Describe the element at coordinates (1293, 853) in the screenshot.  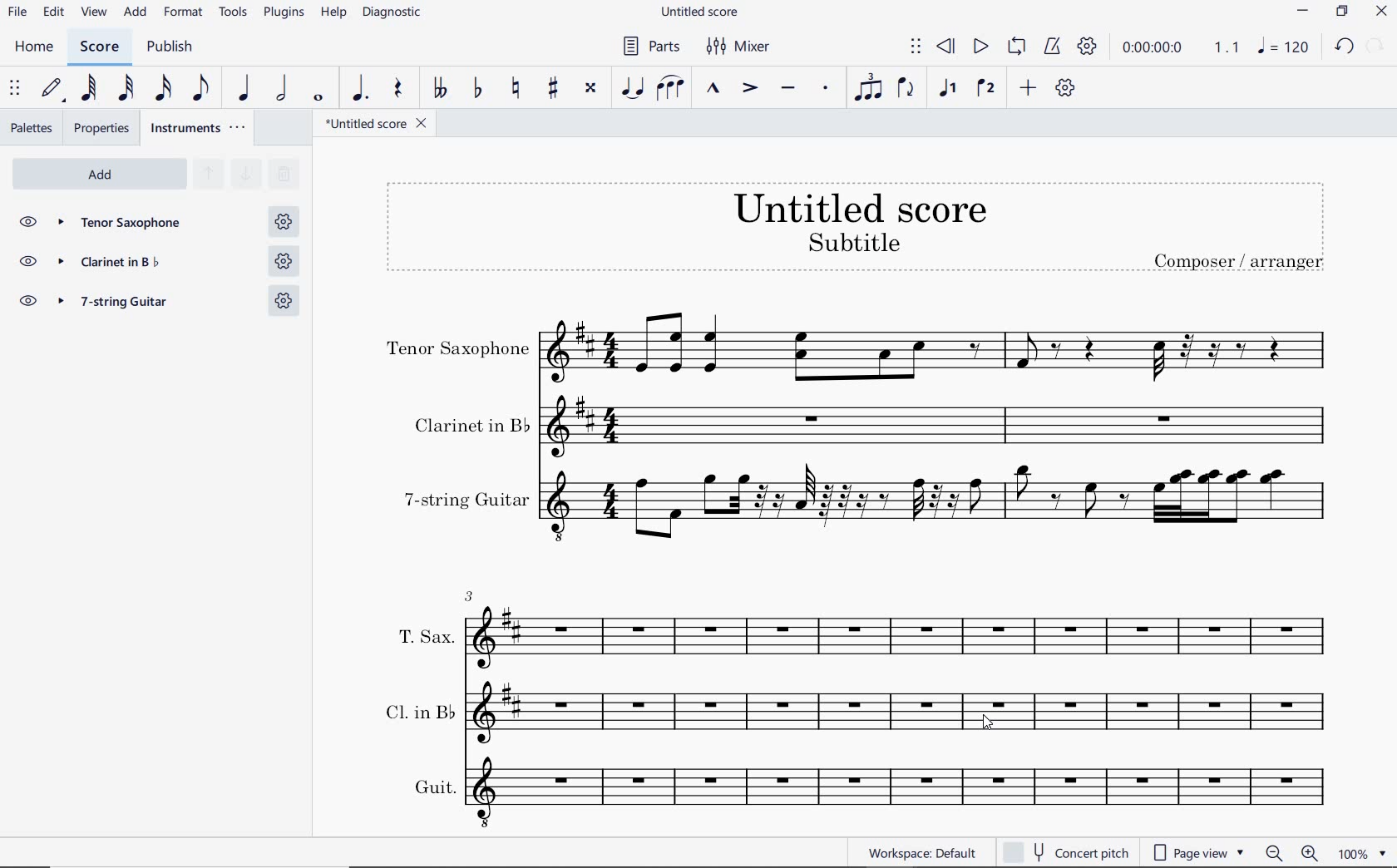
I see `ZOOM OUT OR ZOOM IN` at that location.